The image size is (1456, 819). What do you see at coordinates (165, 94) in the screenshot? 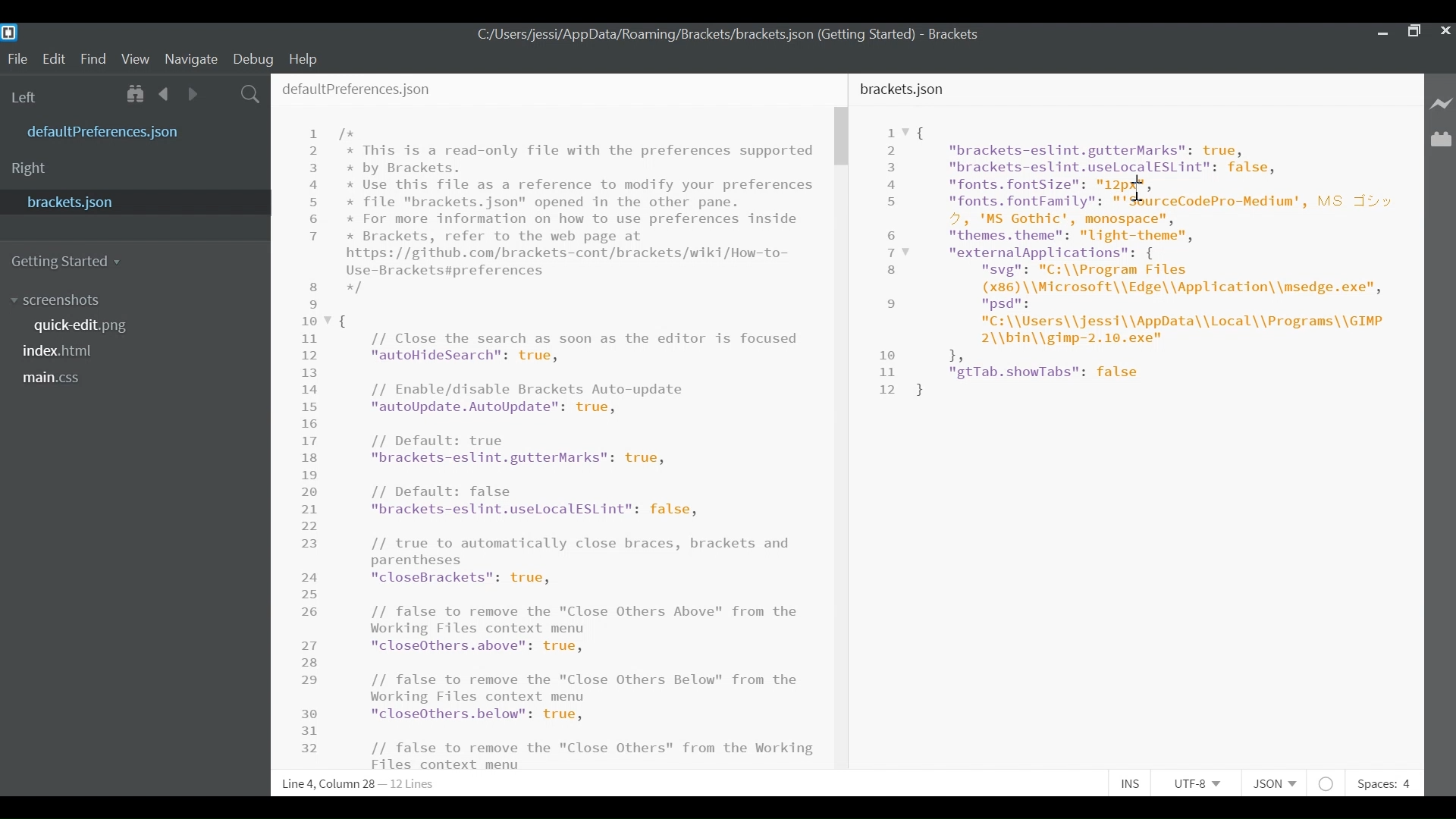
I see `Navigate Back` at bounding box center [165, 94].